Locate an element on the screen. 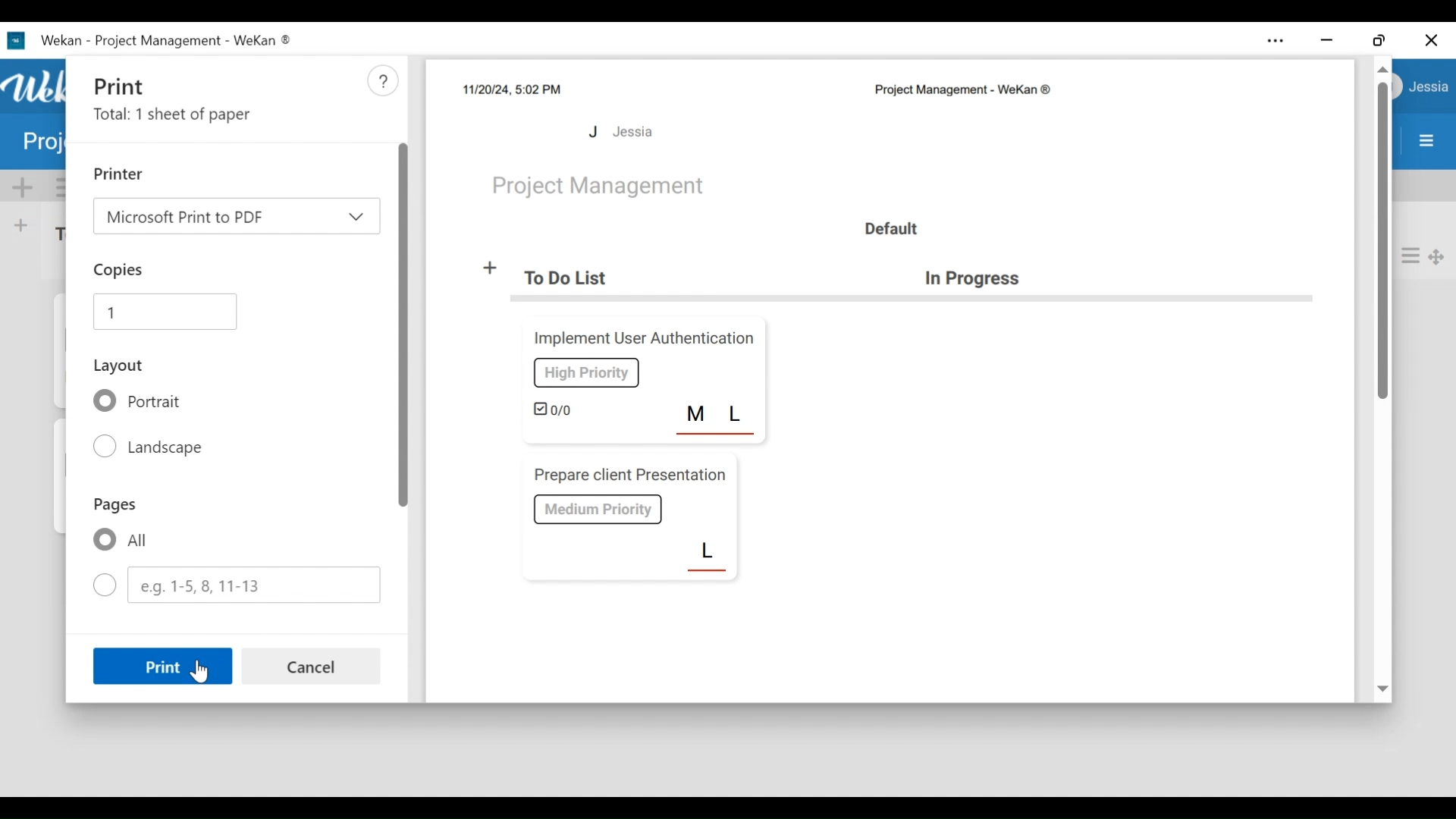 This screenshot has width=1456, height=819. Settings and more is located at coordinates (1275, 42).